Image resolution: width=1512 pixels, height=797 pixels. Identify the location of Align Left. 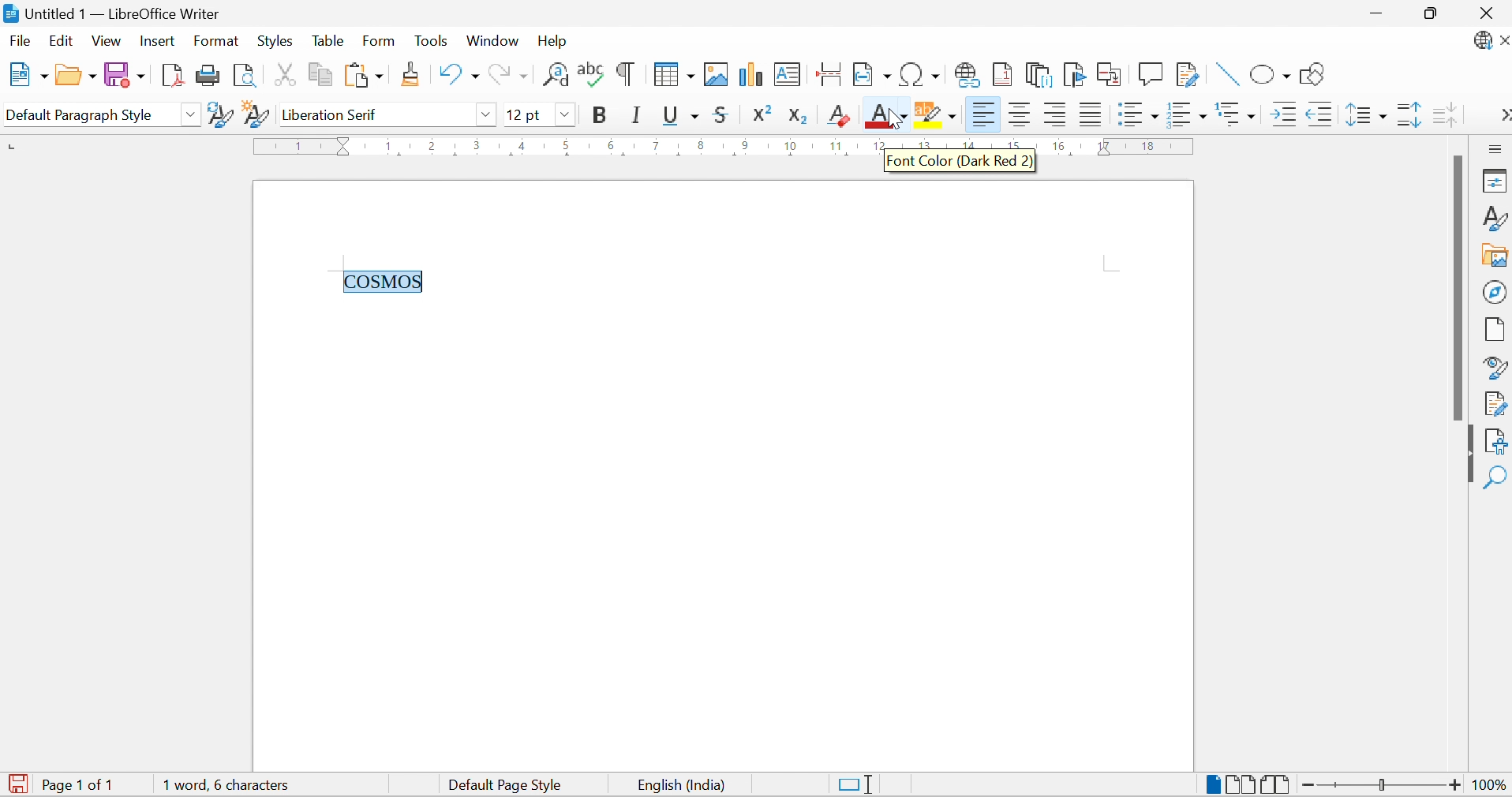
(1056, 114).